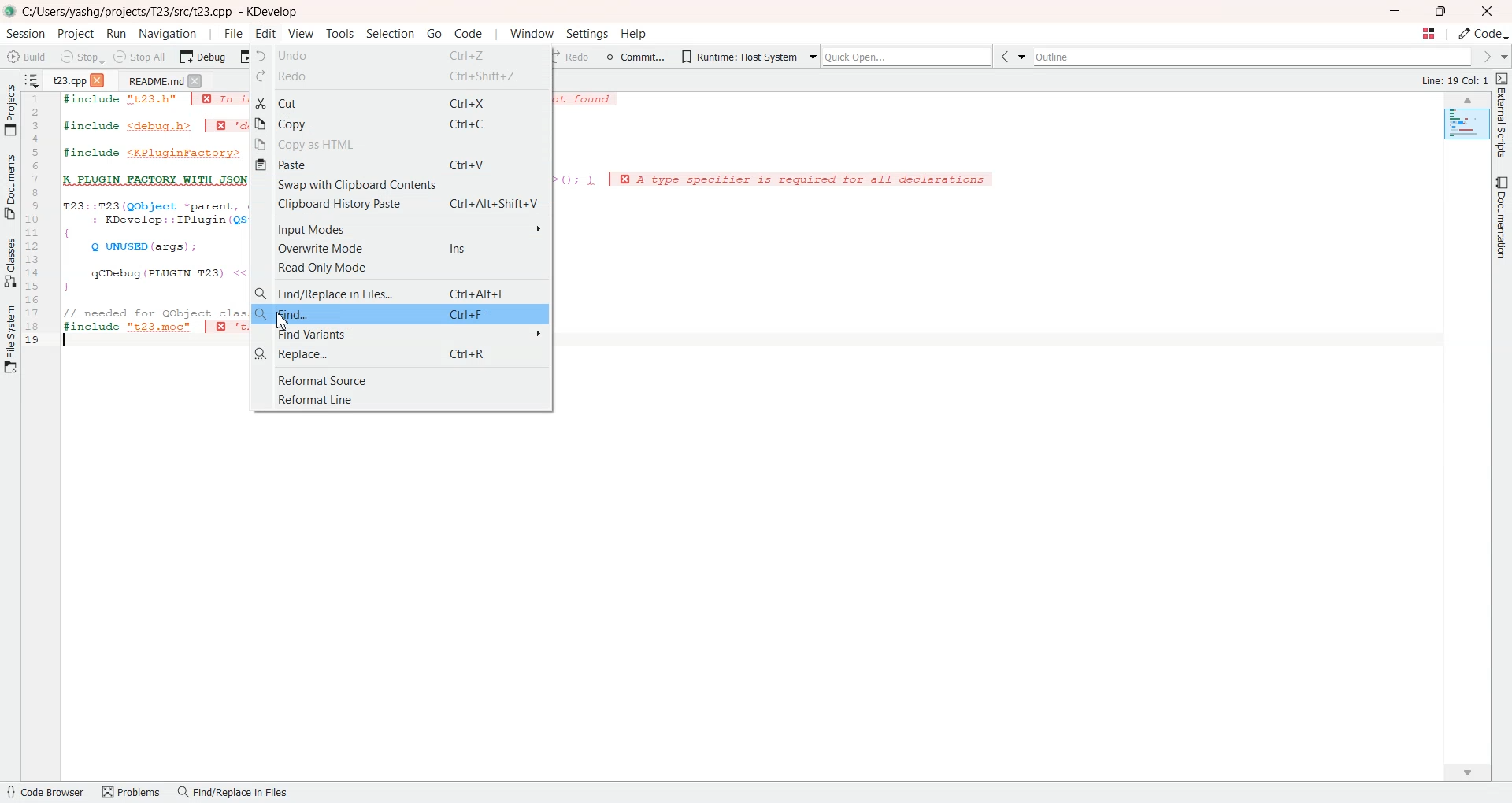 This screenshot has width=1512, height=803. Describe the element at coordinates (402, 336) in the screenshot. I see `Find Variants` at that location.